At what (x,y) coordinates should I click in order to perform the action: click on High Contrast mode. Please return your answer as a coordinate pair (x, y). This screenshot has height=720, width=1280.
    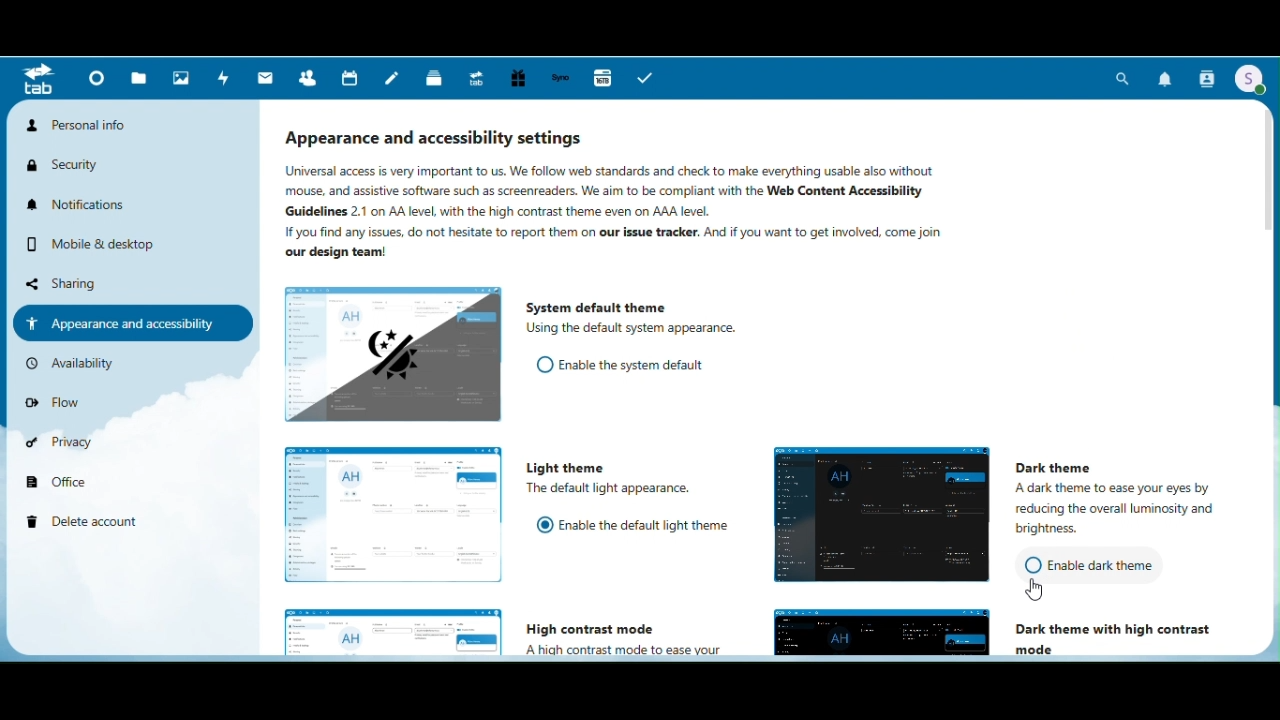
    Looking at the image, I should click on (496, 631).